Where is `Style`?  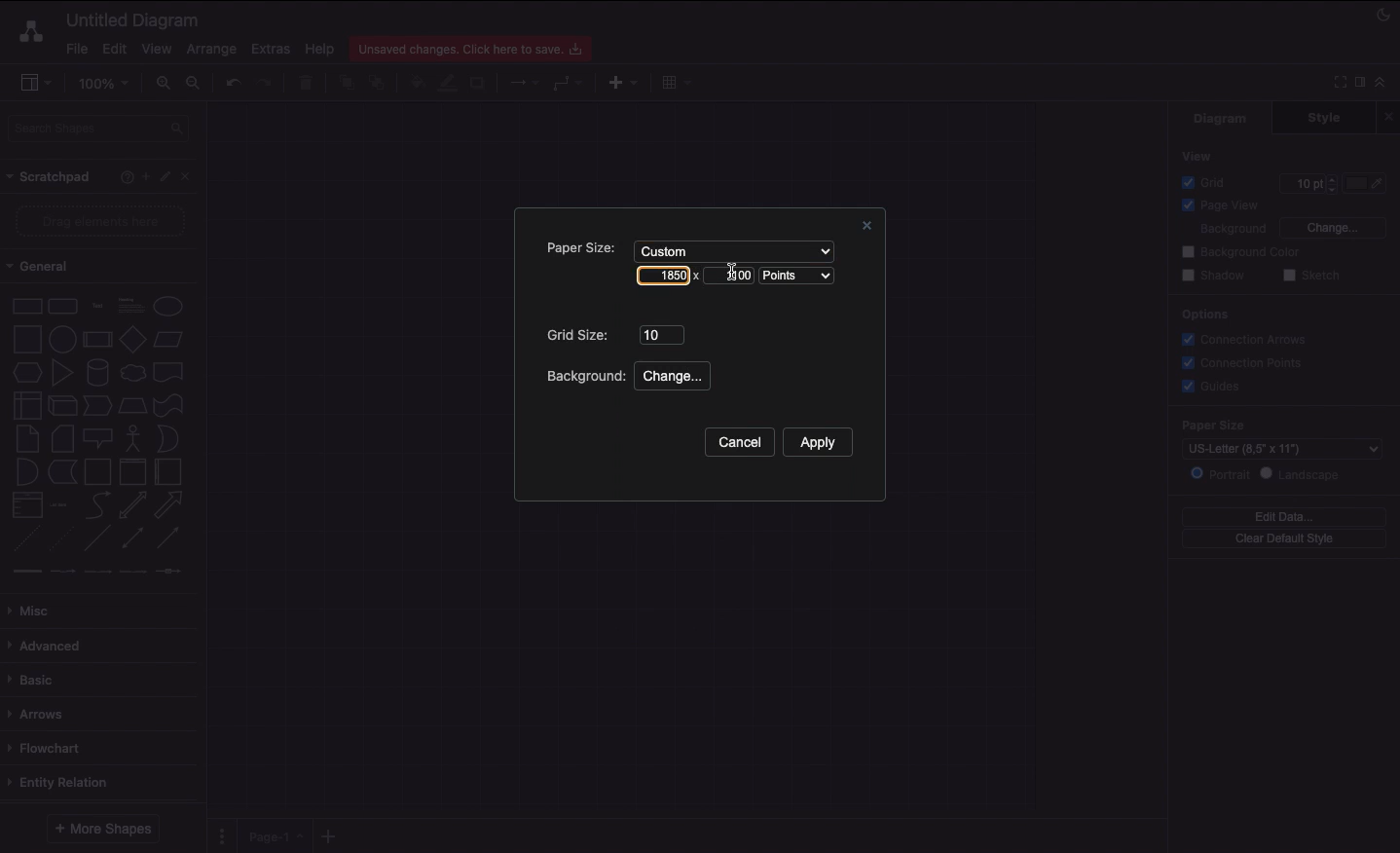
Style is located at coordinates (1326, 117).